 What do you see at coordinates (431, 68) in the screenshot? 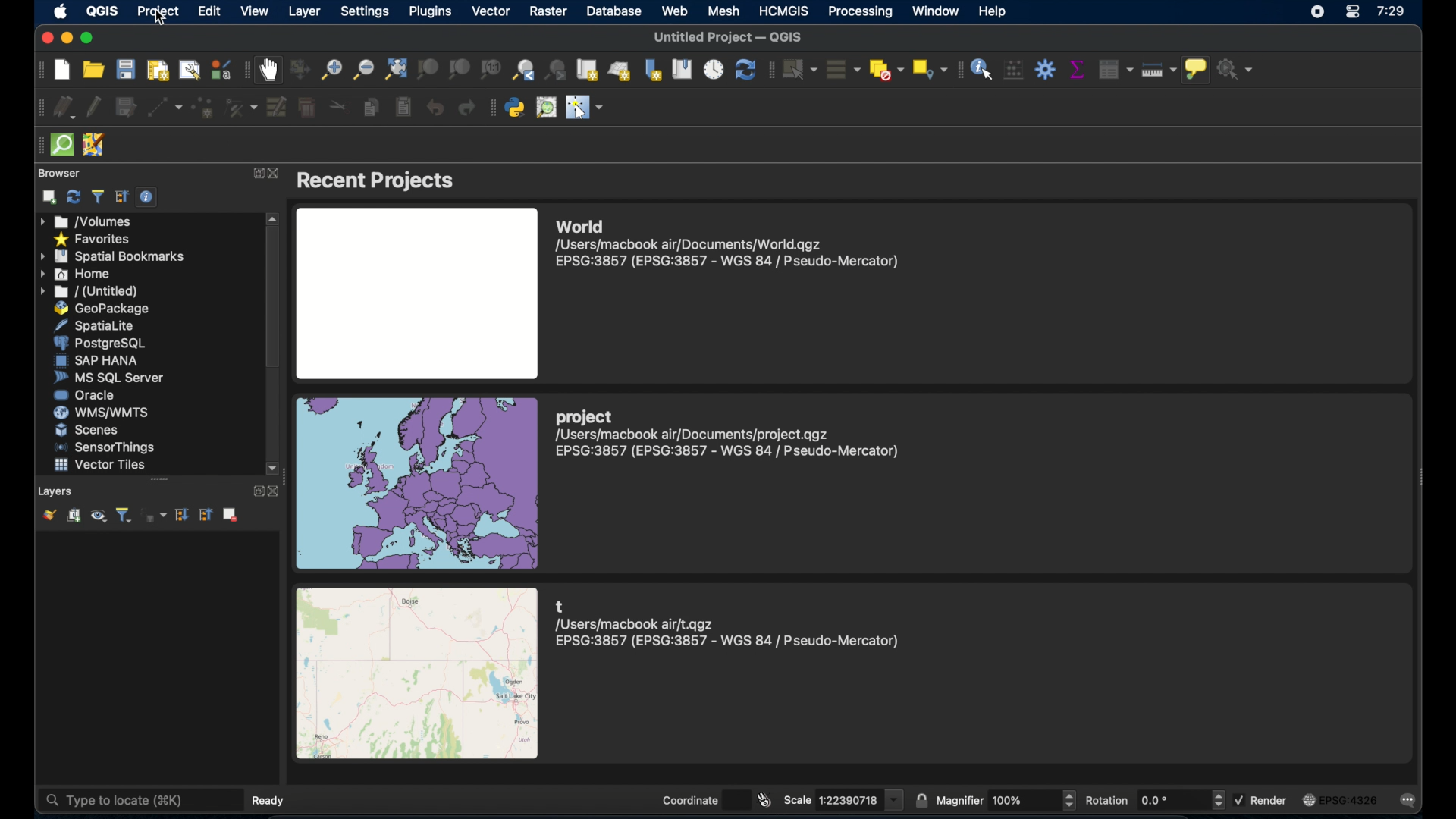
I see `zoom to selection` at bounding box center [431, 68].